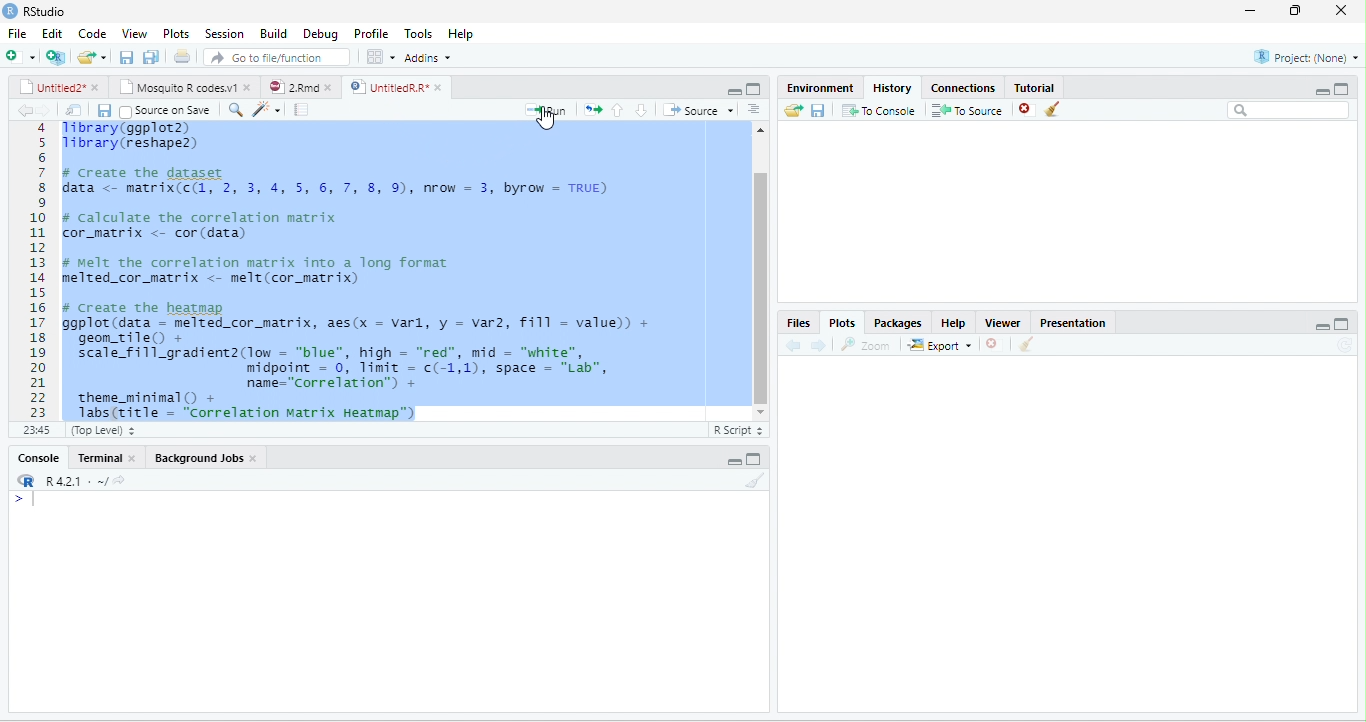  I want to click on close, so click(1345, 11).